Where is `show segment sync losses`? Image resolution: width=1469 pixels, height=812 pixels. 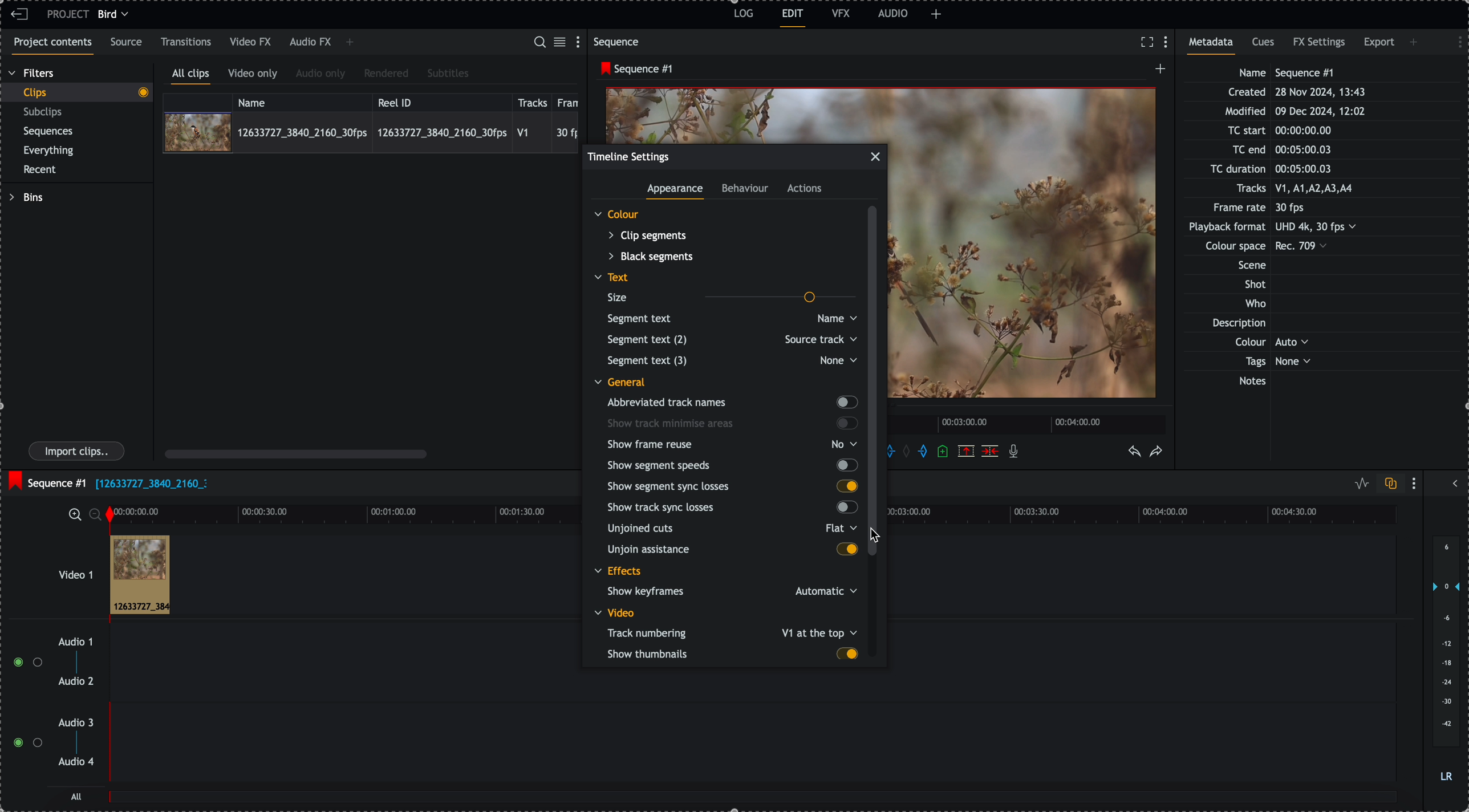
show segment sync losses is located at coordinates (730, 487).